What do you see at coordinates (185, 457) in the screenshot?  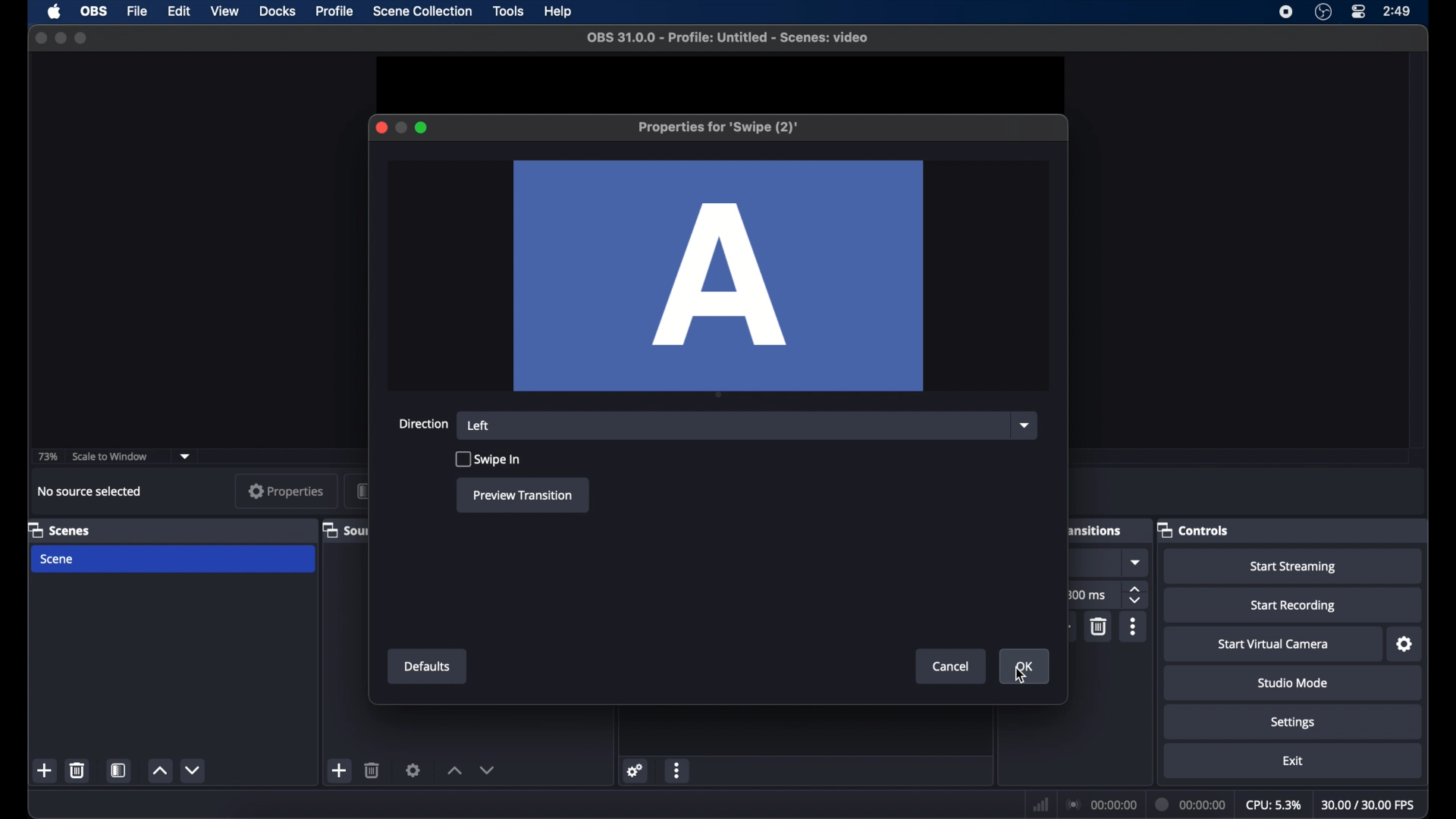 I see `dropdown` at bounding box center [185, 457].